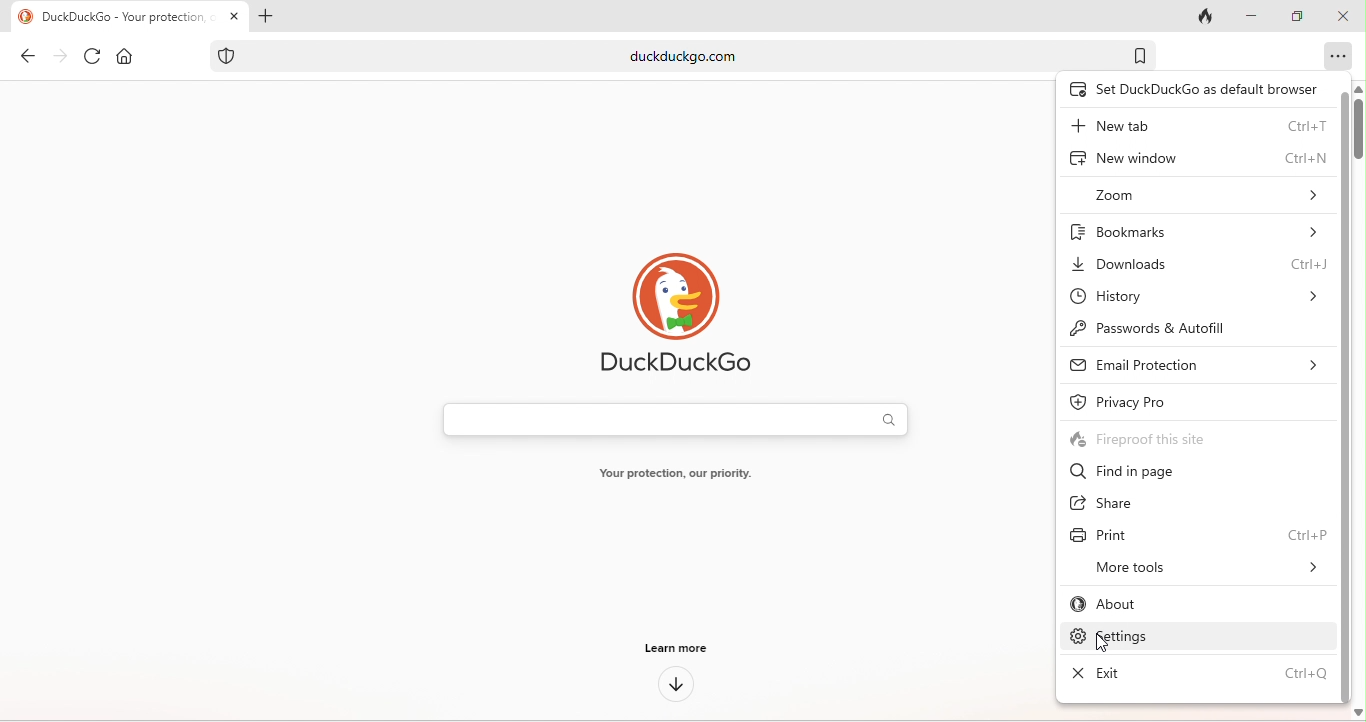  Describe the element at coordinates (1133, 468) in the screenshot. I see `find in page` at that location.